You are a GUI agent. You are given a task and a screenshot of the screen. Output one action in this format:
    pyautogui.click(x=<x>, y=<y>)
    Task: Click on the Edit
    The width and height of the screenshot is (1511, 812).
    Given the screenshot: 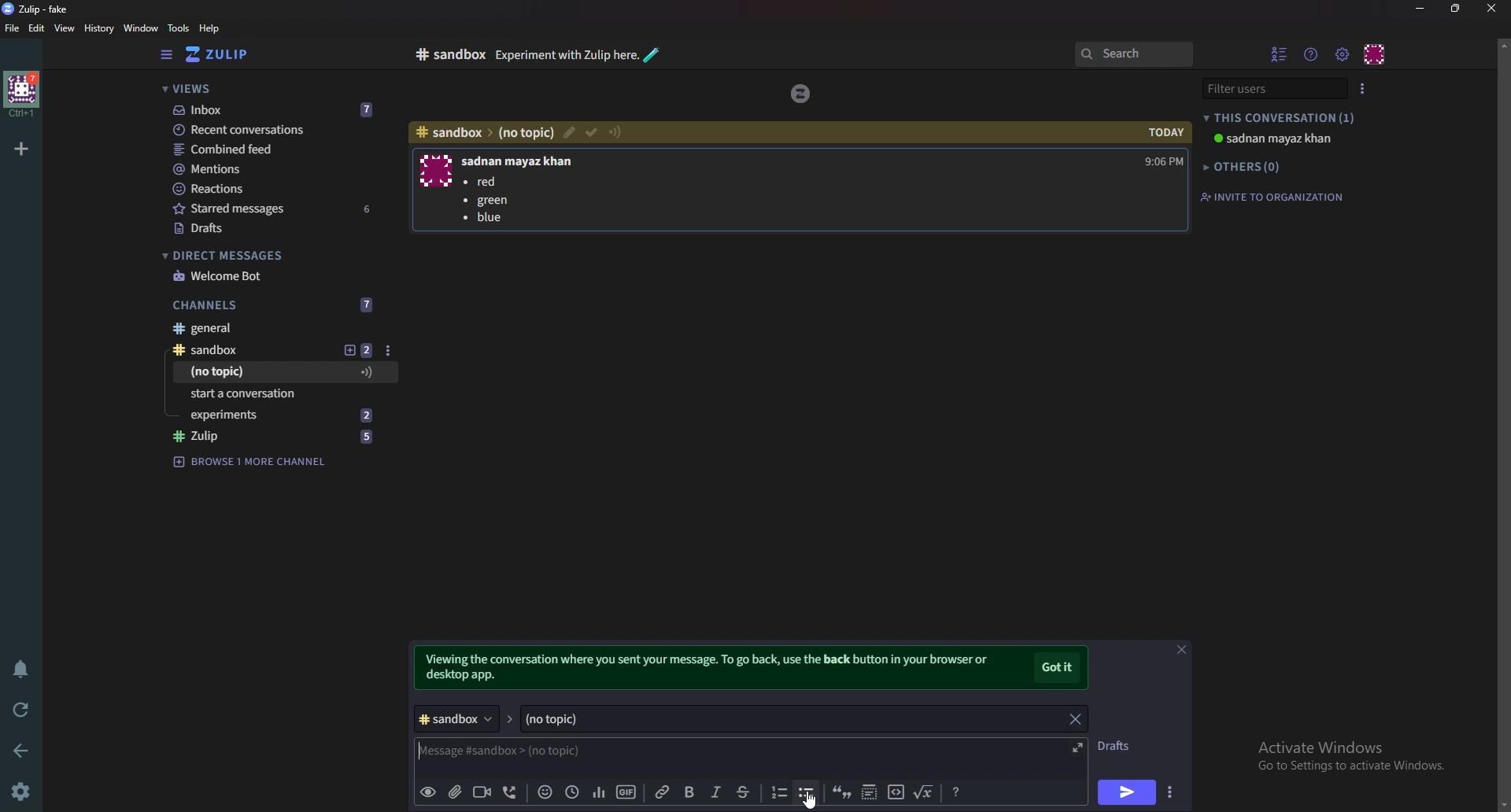 What is the action you would take?
    pyautogui.click(x=37, y=28)
    